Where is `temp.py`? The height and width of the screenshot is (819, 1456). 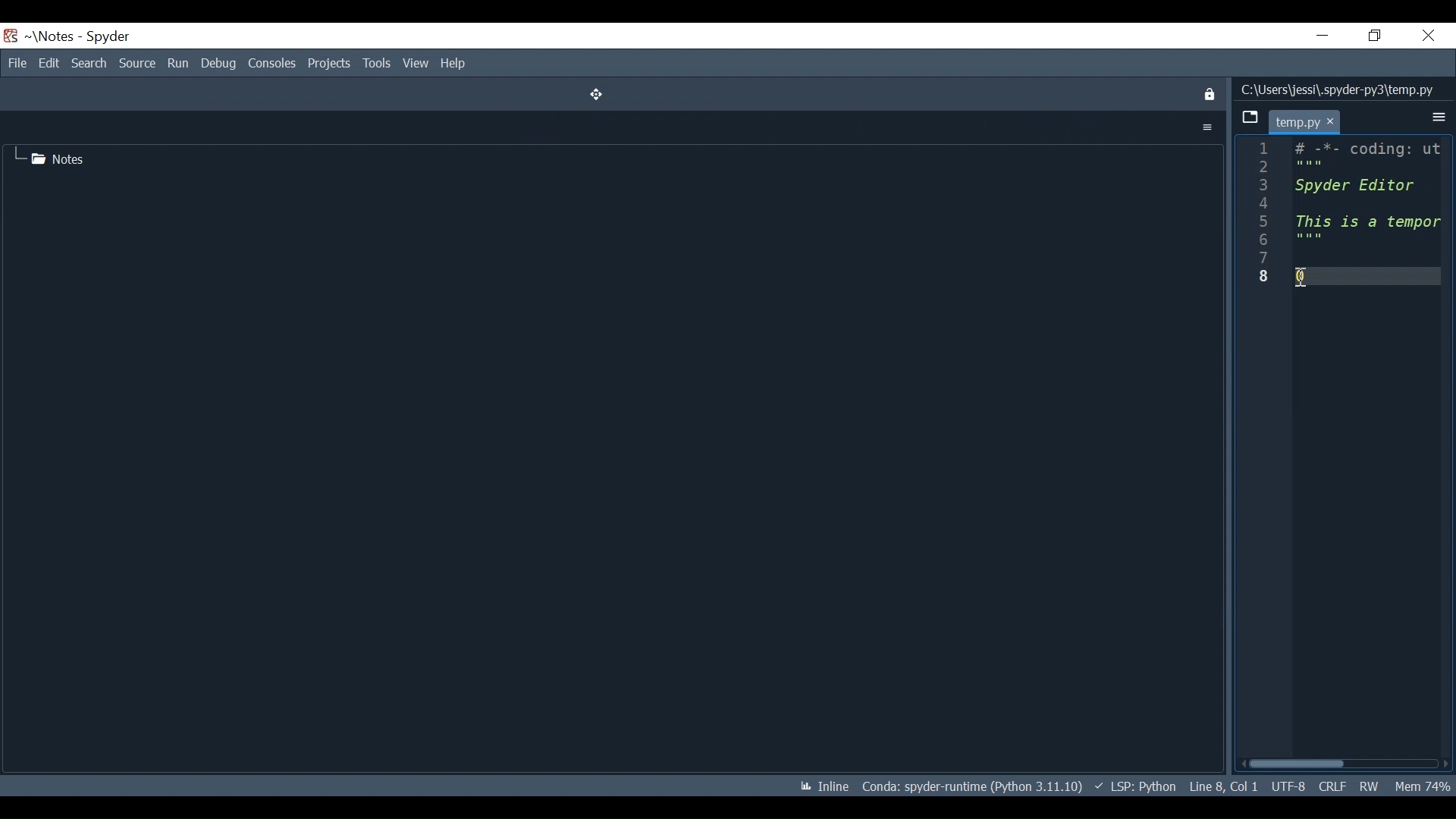
temp.py is located at coordinates (1297, 122).